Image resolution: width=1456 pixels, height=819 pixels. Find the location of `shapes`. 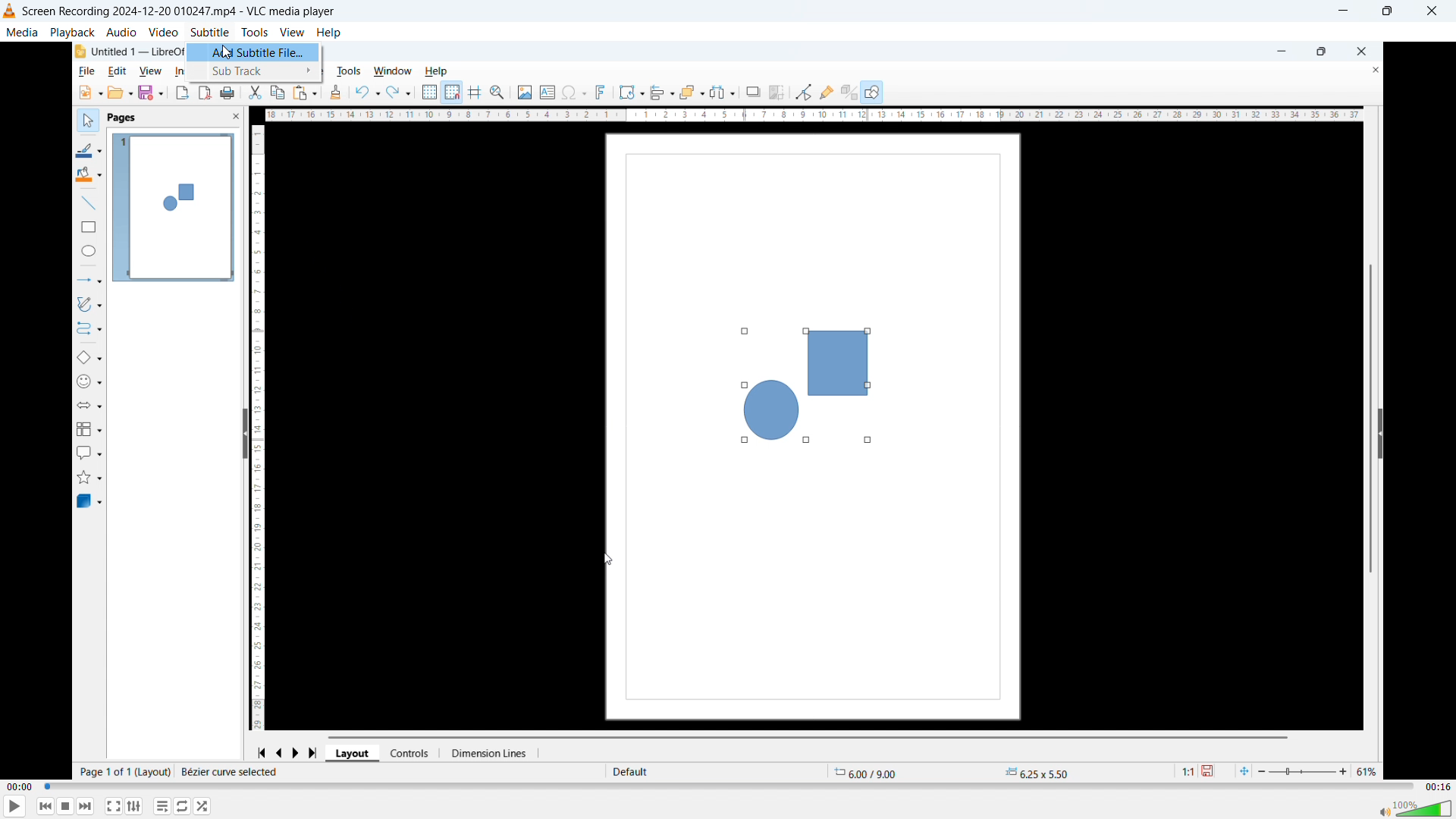

shapes is located at coordinates (801, 384).